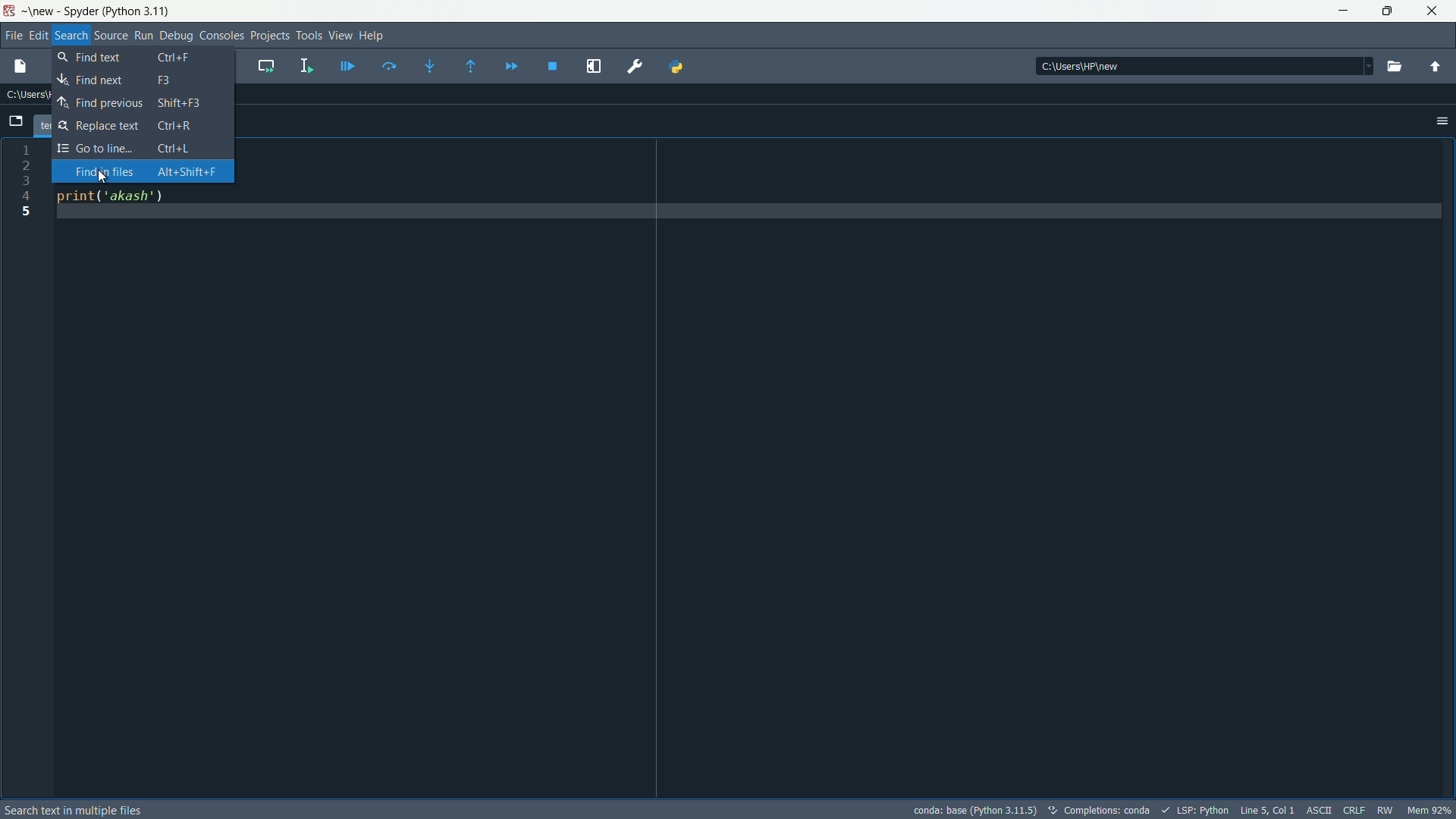  What do you see at coordinates (309, 35) in the screenshot?
I see `Tools Menu` at bounding box center [309, 35].